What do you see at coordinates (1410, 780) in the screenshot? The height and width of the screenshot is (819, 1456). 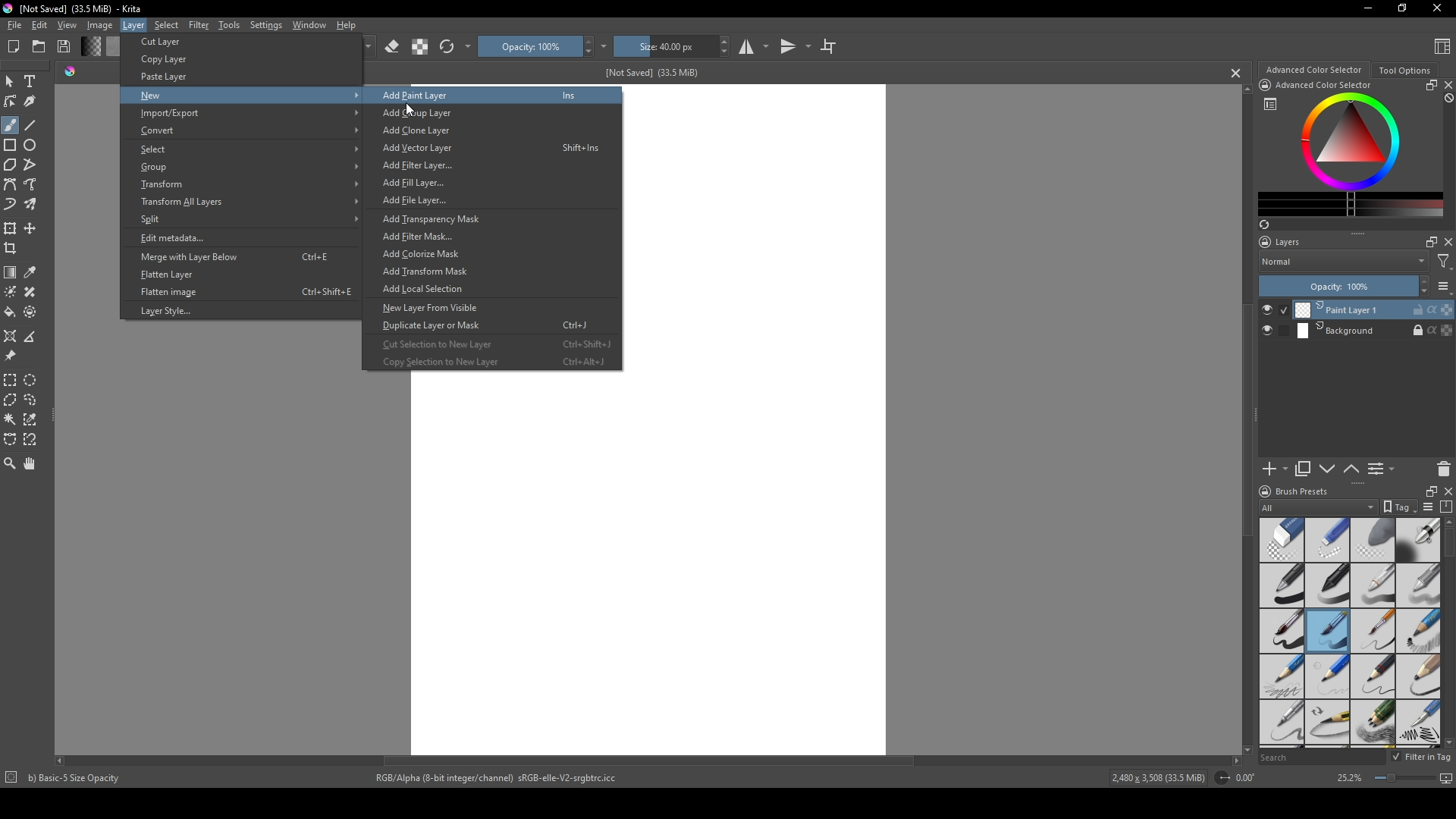 I see `screen size` at bounding box center [1410, 780].